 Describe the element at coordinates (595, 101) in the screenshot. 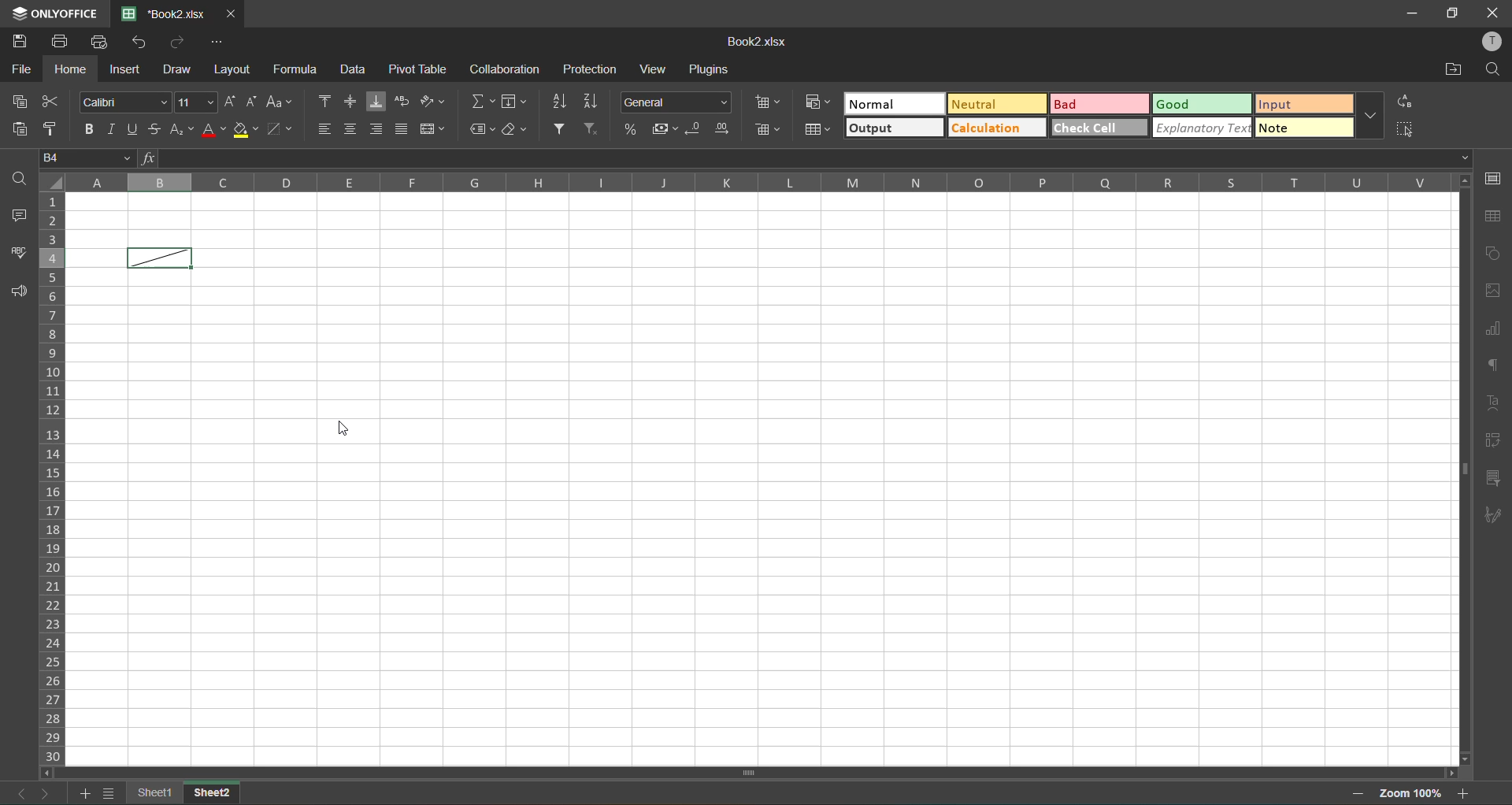

I see `sort descending` at that location.